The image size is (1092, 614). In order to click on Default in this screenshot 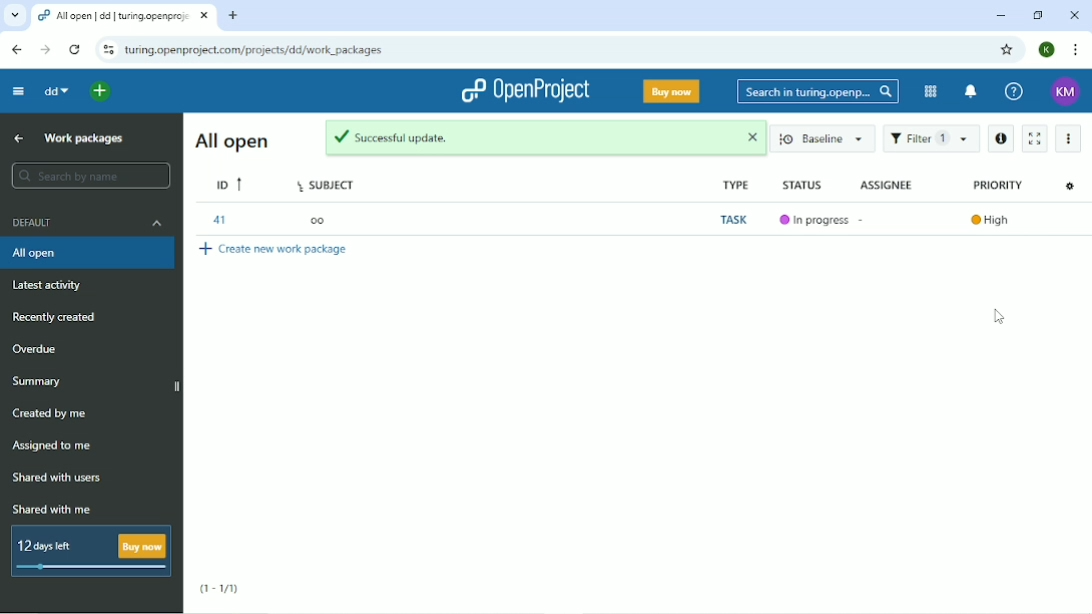, I will do `click(89, 222)`.